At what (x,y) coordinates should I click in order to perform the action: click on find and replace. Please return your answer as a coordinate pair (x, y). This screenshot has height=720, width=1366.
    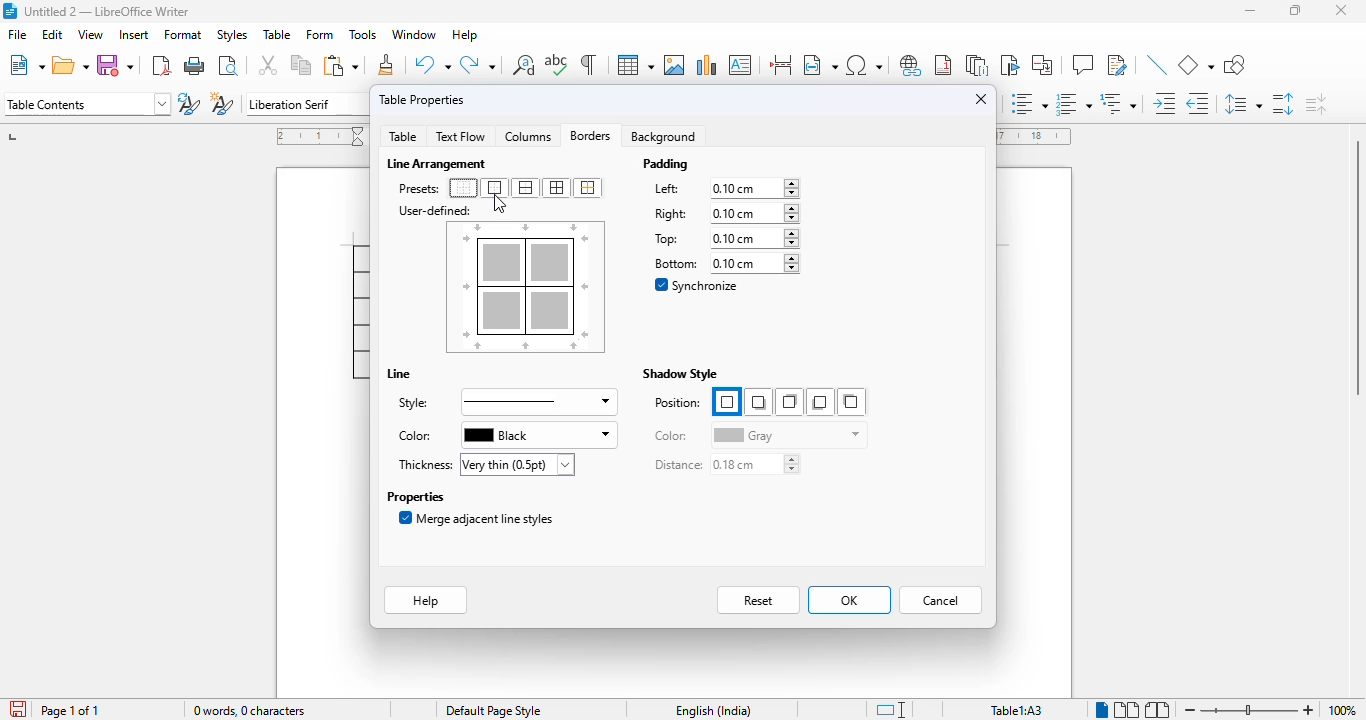
    Looking at the image, I should click on (524, 64).